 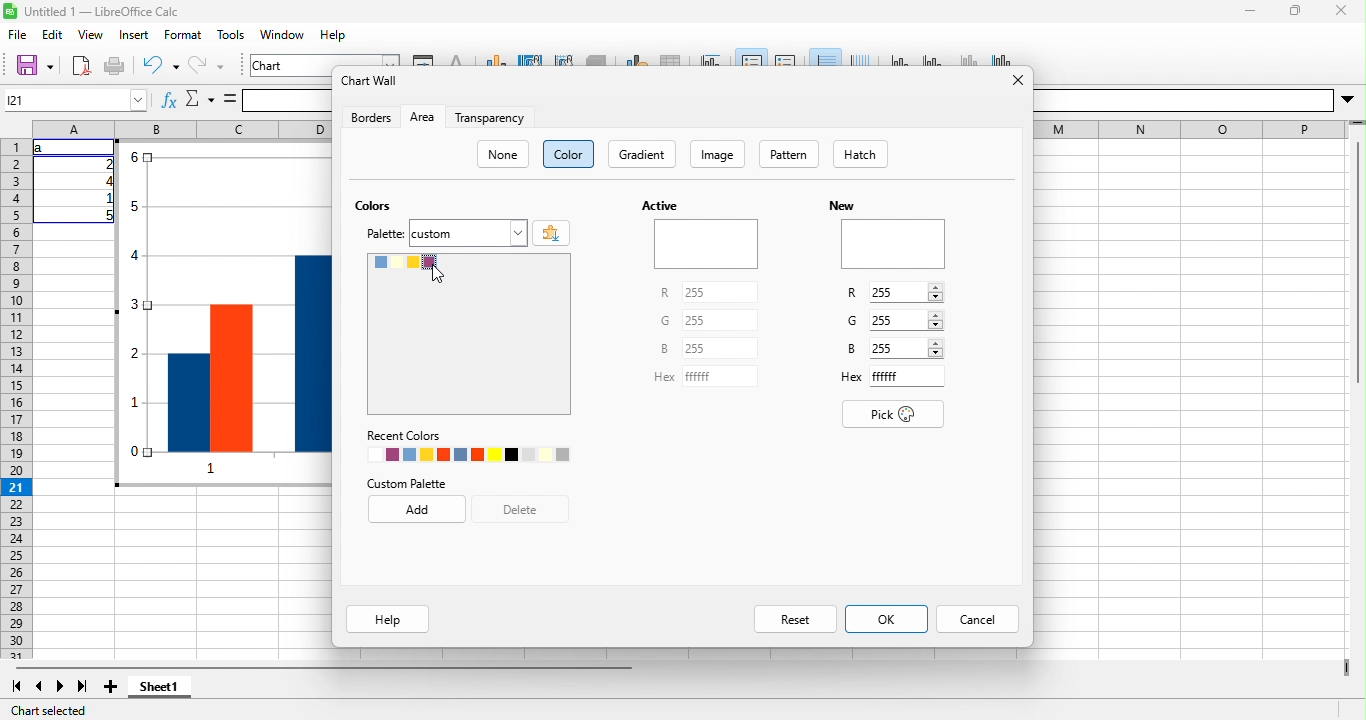 What do you see at coordinates (795, 619) in the screenshot?
I see `reset` at bounding box center [795, 619].